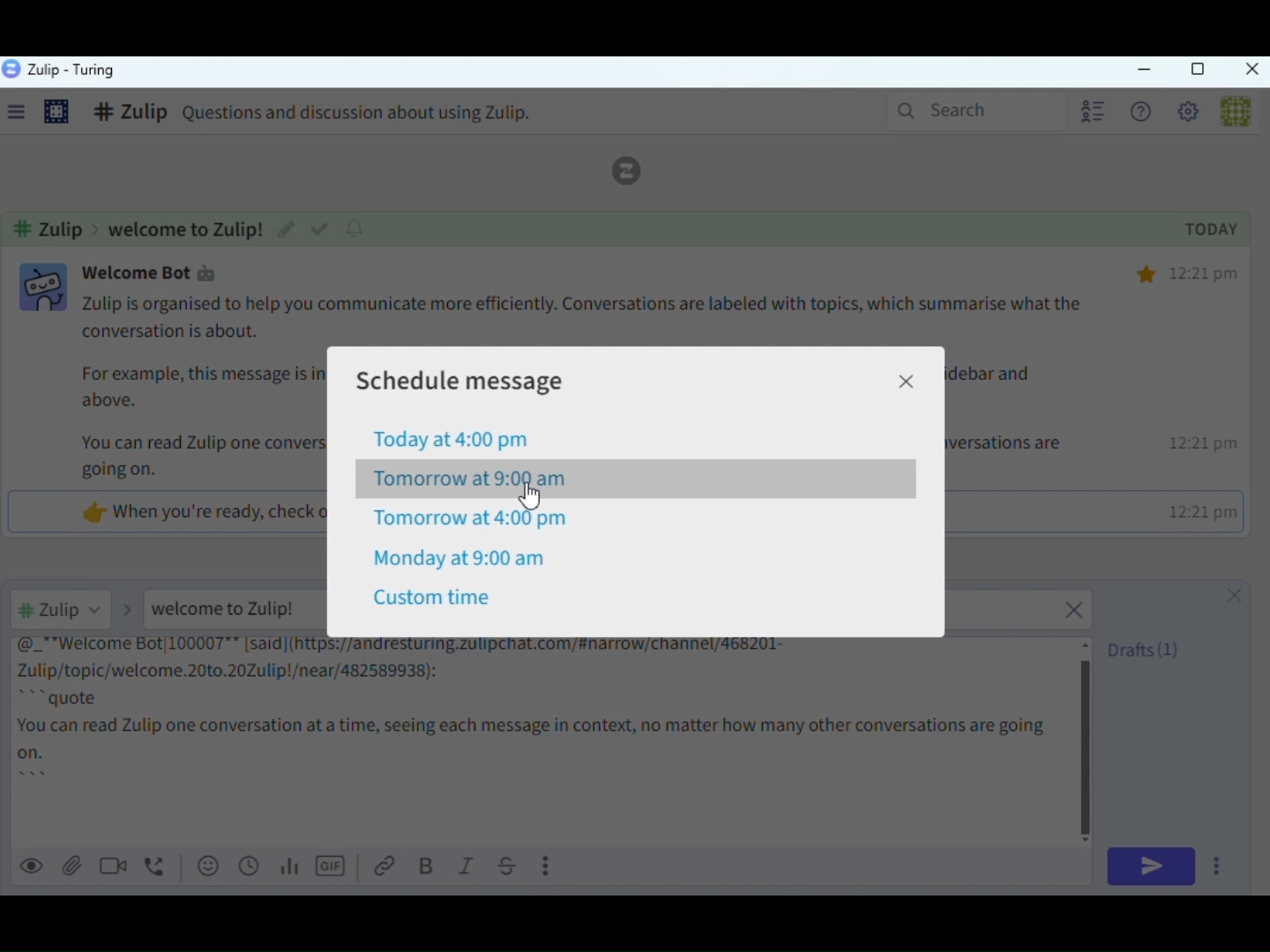  Describe the element at coordinates (1262, 879) in the screenshot. I see `Down` at that location.